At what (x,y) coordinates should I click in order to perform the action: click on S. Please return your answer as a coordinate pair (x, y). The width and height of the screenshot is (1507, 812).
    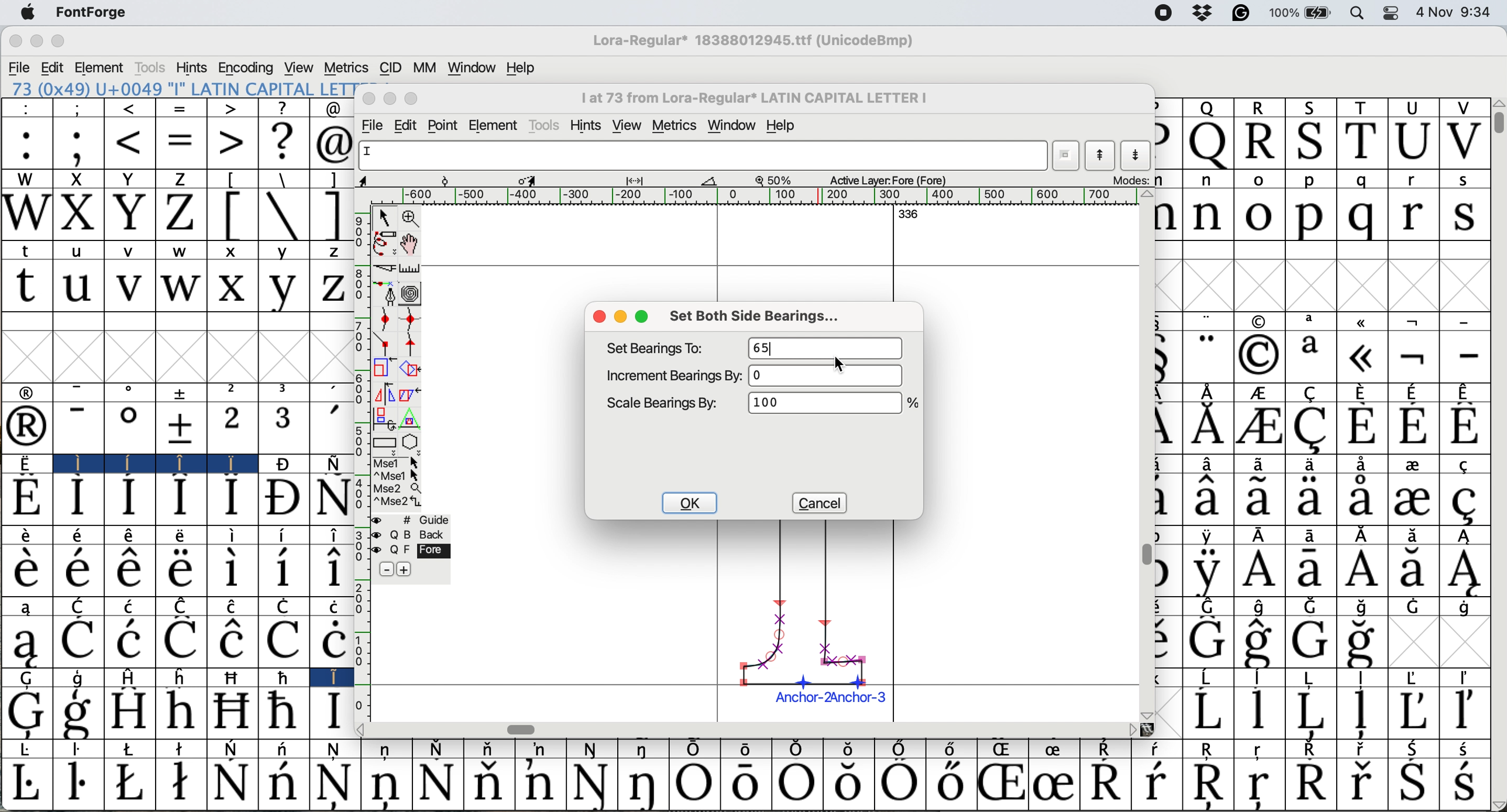
    Looking at the image, I should click on (1312, 142).